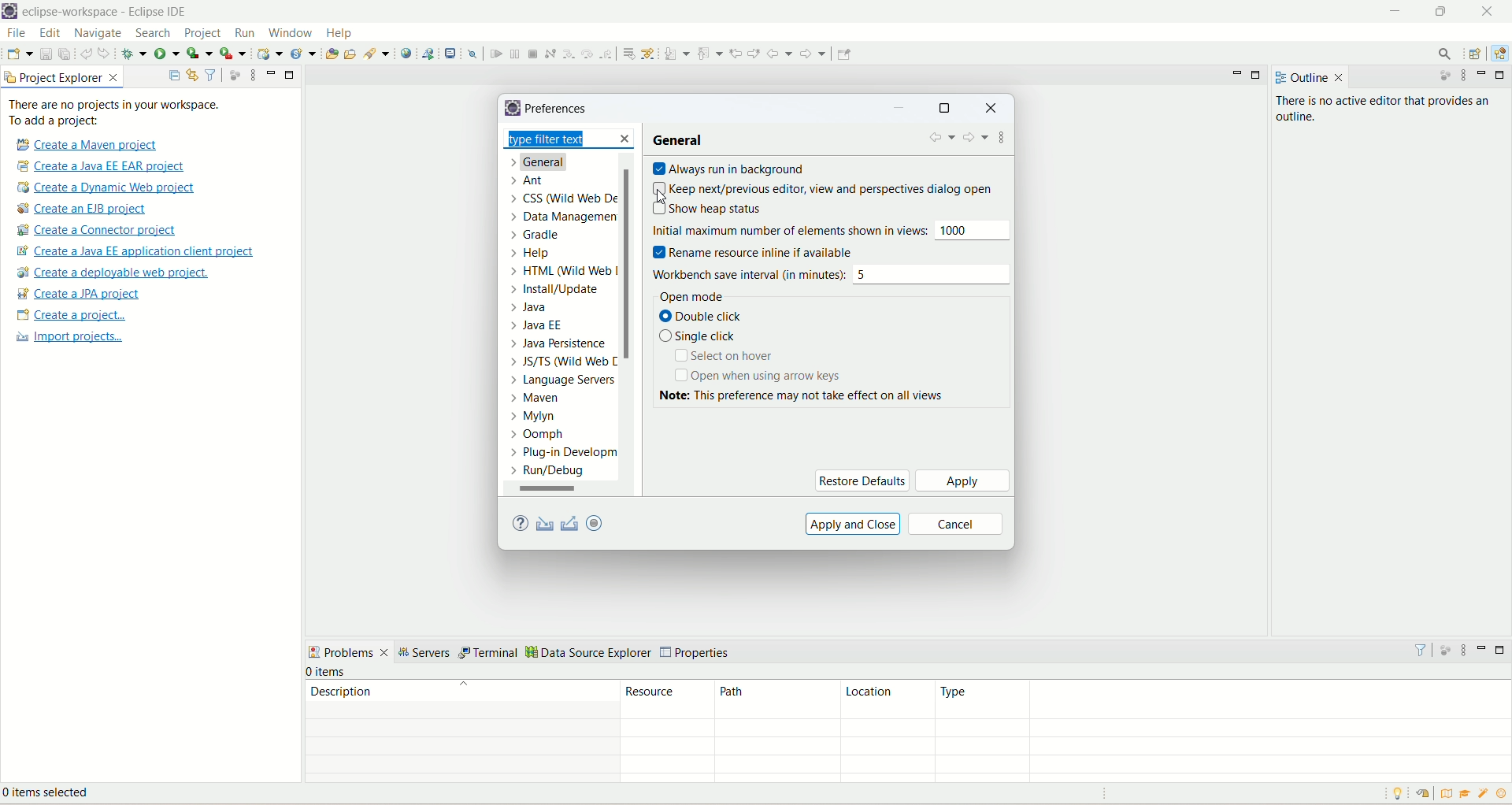 The height and width of the screenshot is (805, 1512). Describe the element at coordinates (349, 651) in the screenshot. I see `problems` at that location.